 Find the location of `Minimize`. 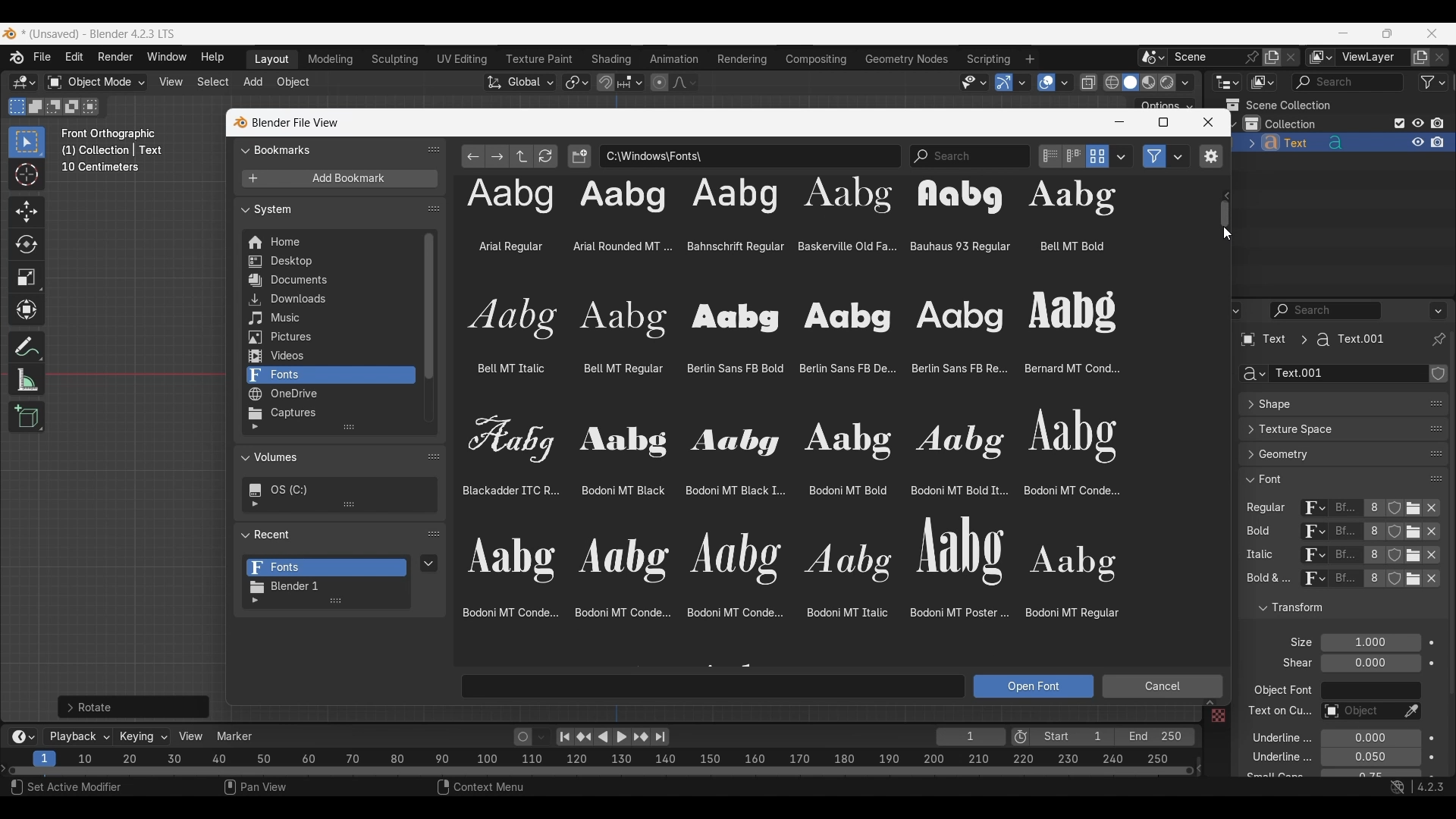

Minimize is located at coordinates (1119, 122).